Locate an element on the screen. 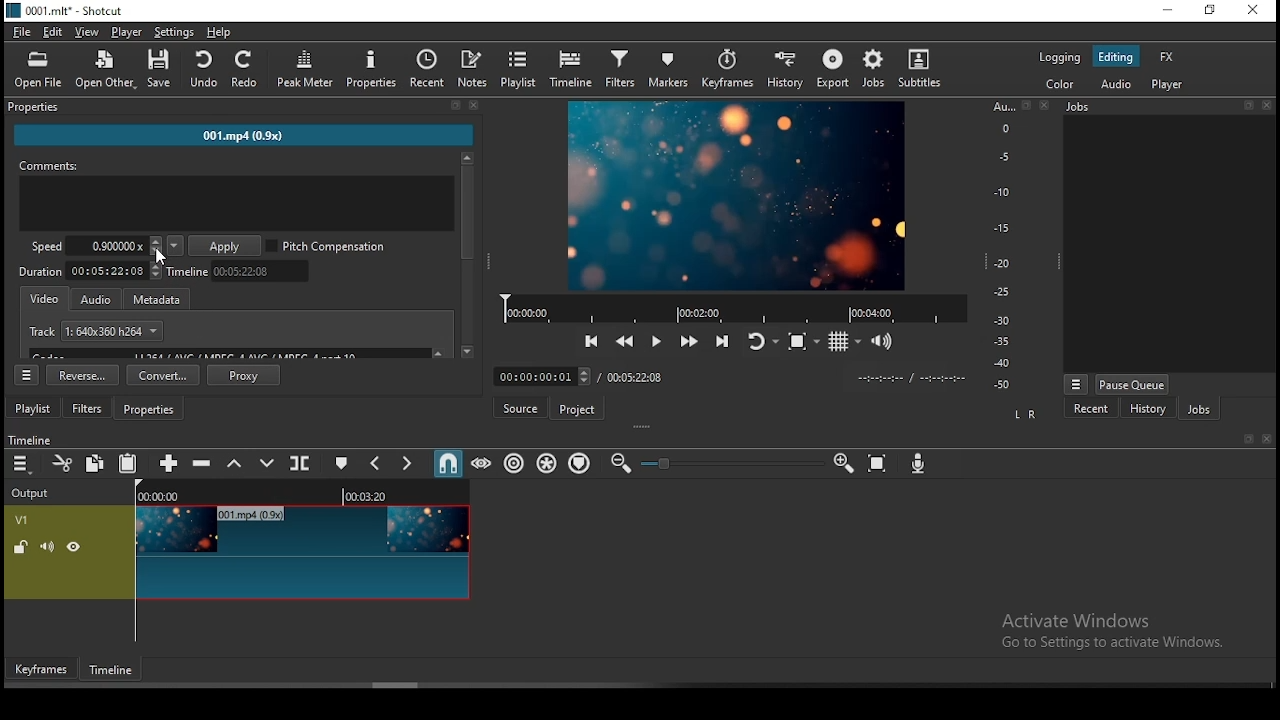 This screenshot has width=1280, height=720. edit is located at coordinates (57, 32).